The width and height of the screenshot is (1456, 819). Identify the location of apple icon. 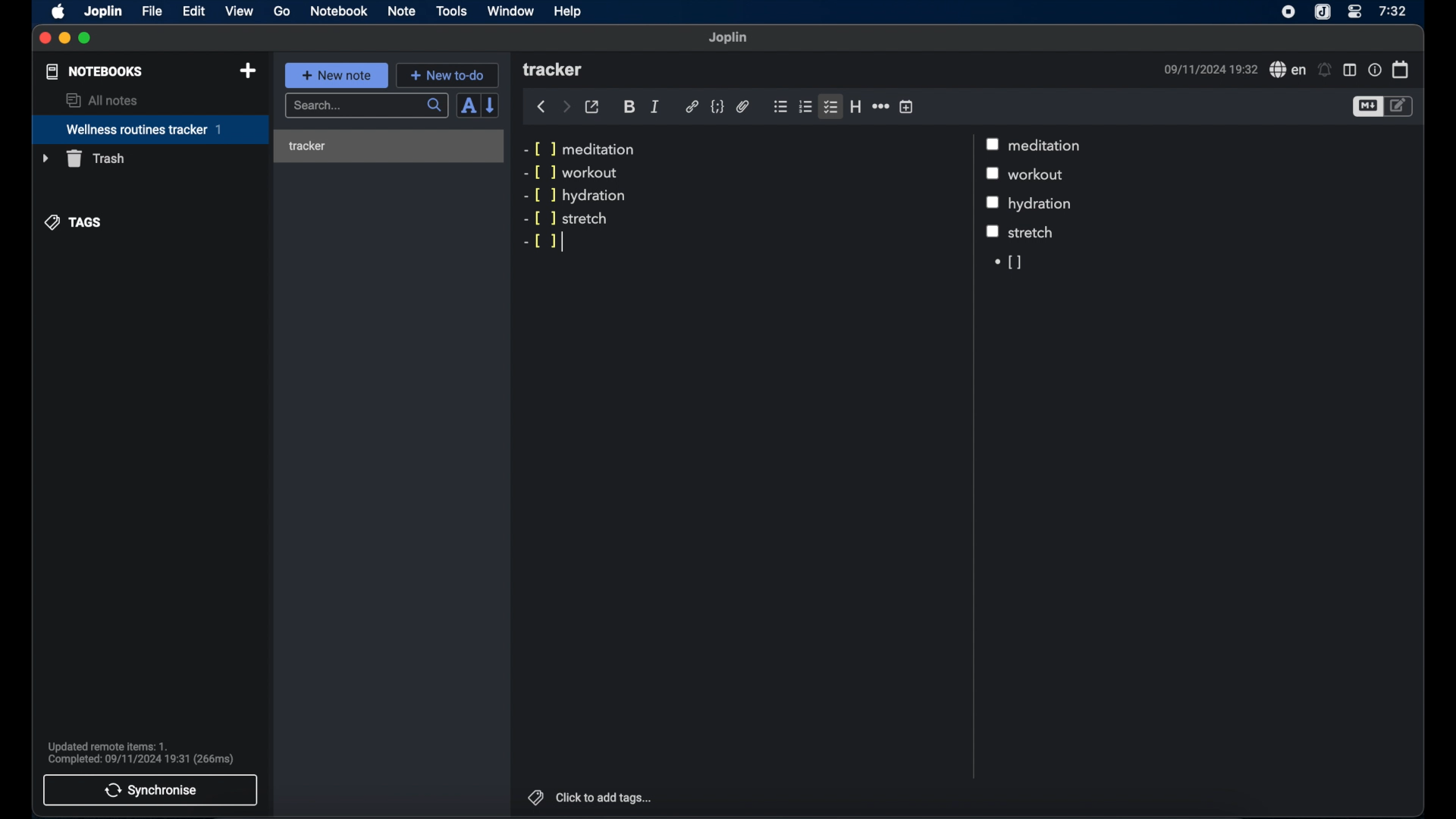
(59, 12).